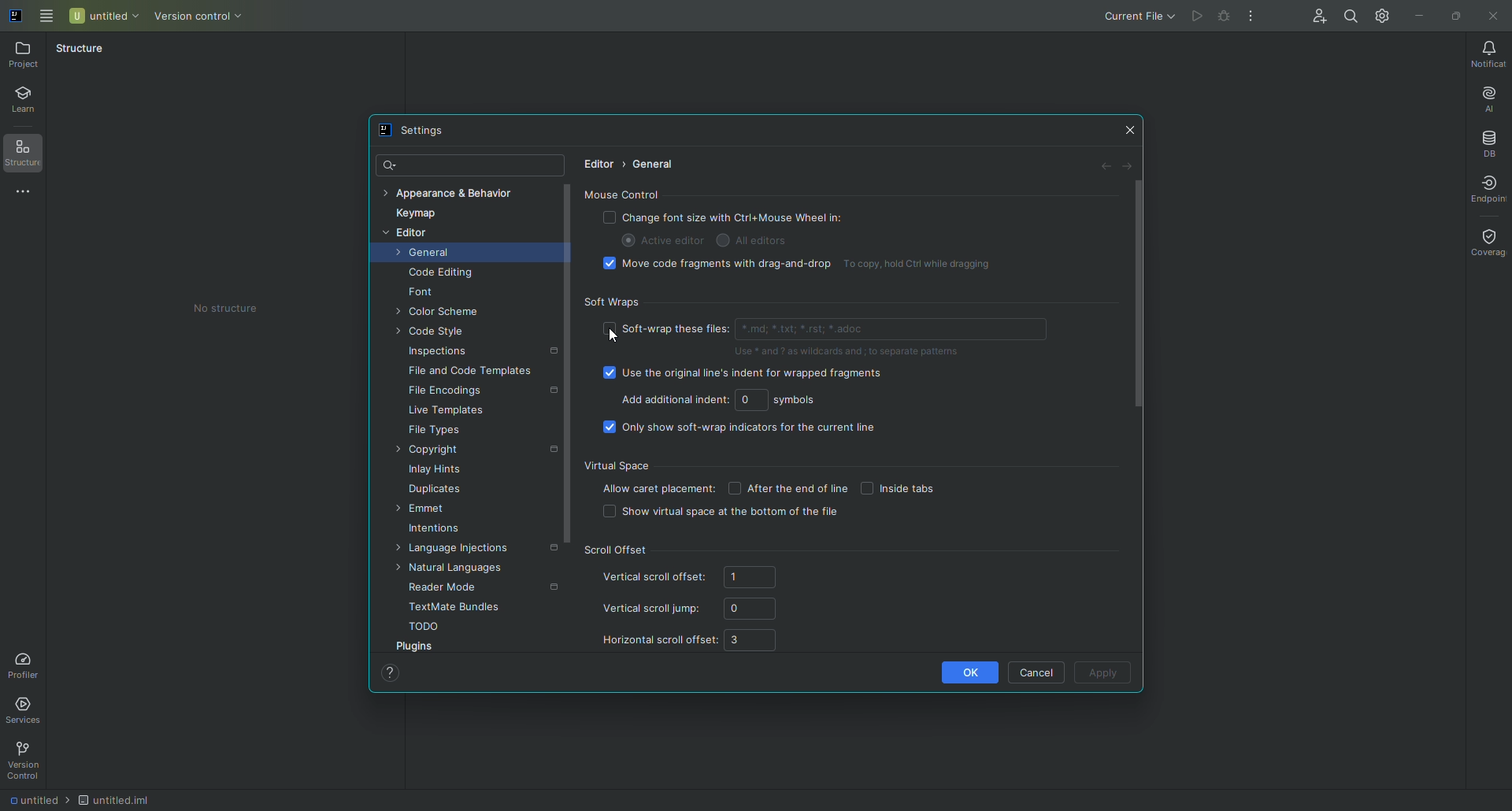 This screenshot has height=811, width=1512. What do you see at coordinates (24, 763) in the screenshot?
I see `Version Control` at bounding box center [24, 763].